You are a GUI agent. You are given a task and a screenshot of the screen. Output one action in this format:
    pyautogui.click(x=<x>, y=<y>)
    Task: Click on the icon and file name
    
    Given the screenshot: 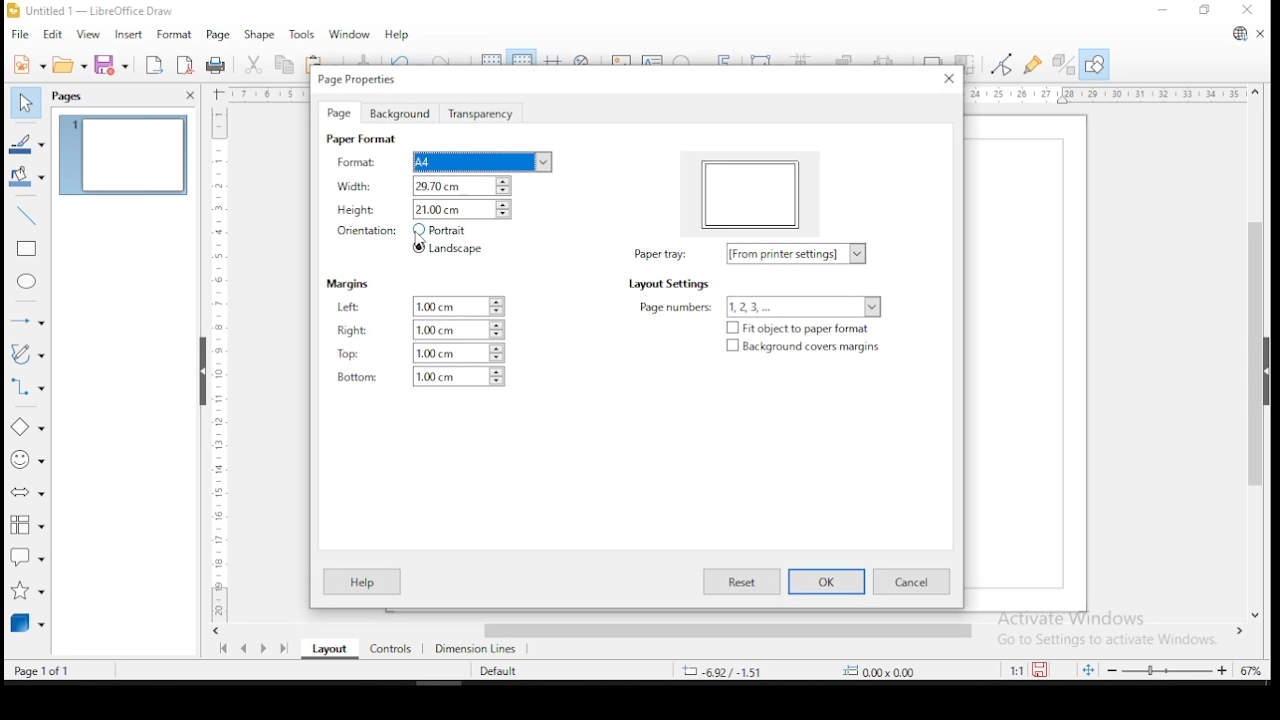 What is the action you would take?
    pyautogui.click(x=102, y=10)
    